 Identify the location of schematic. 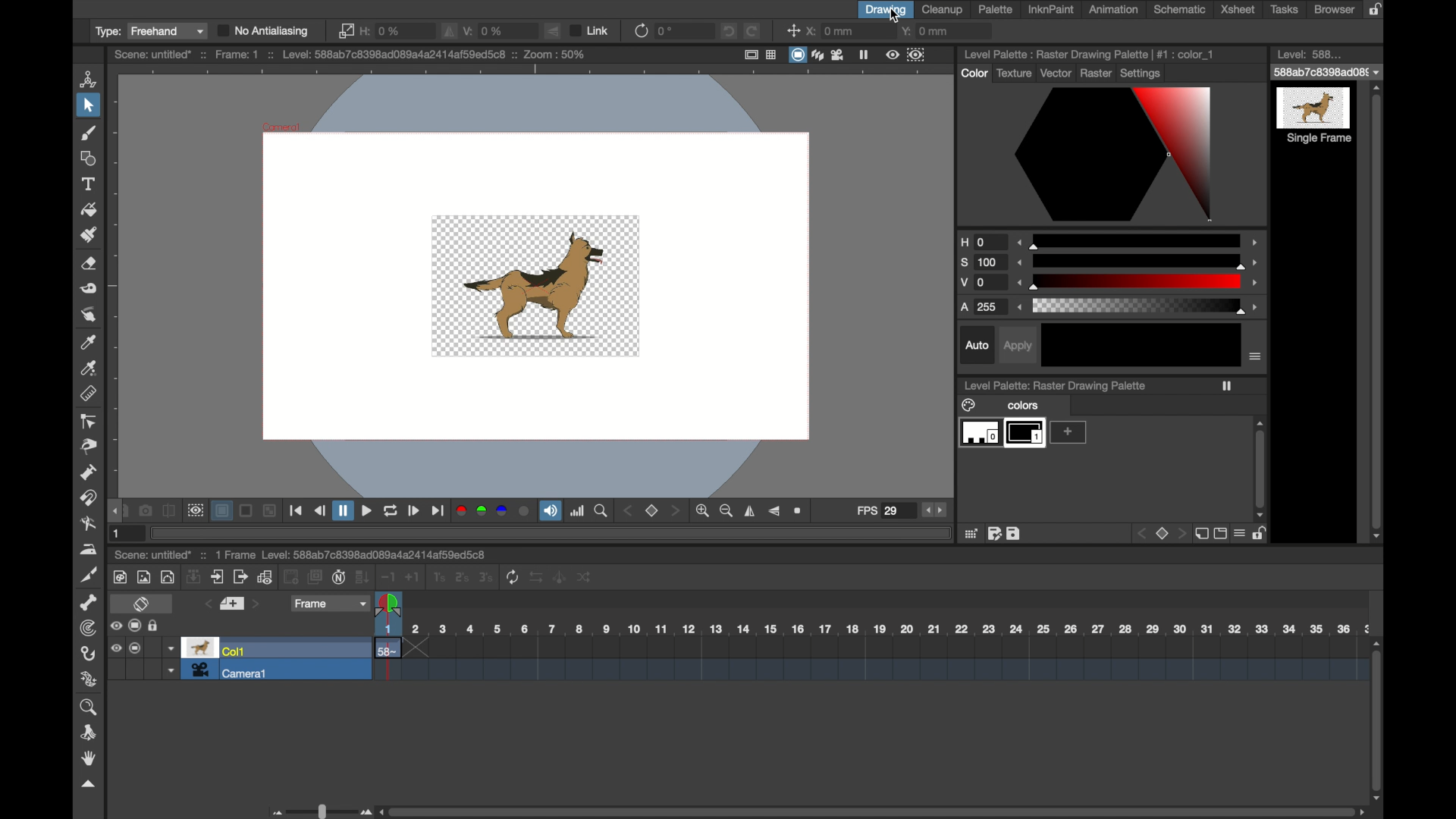
(1179, 9).